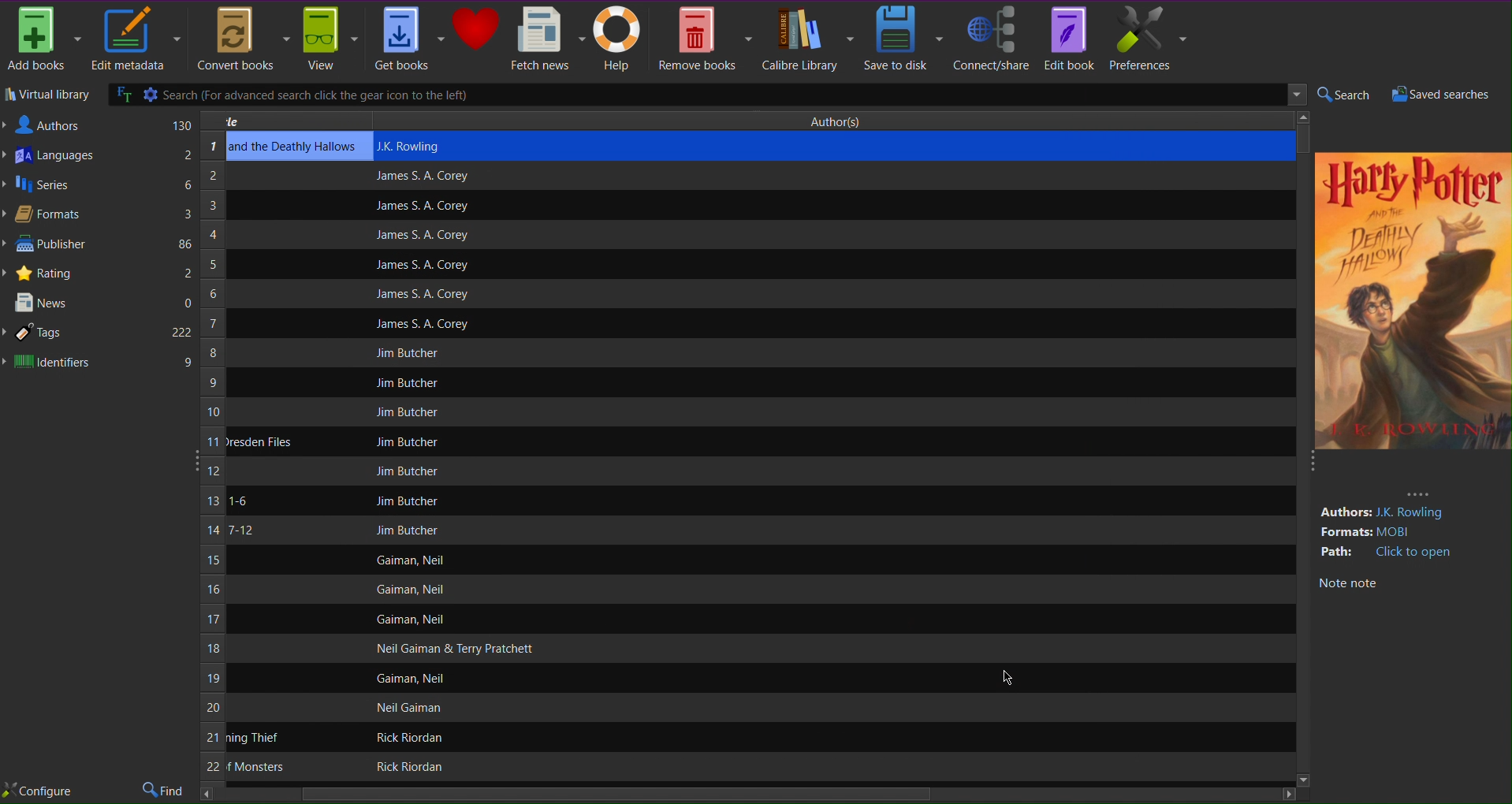 This screenshot has height=804, width=1512. What do you see at coordinates (416, 678) in the screenshot?
I see `Gaiman, Neil` at bounding box center [416, 678].